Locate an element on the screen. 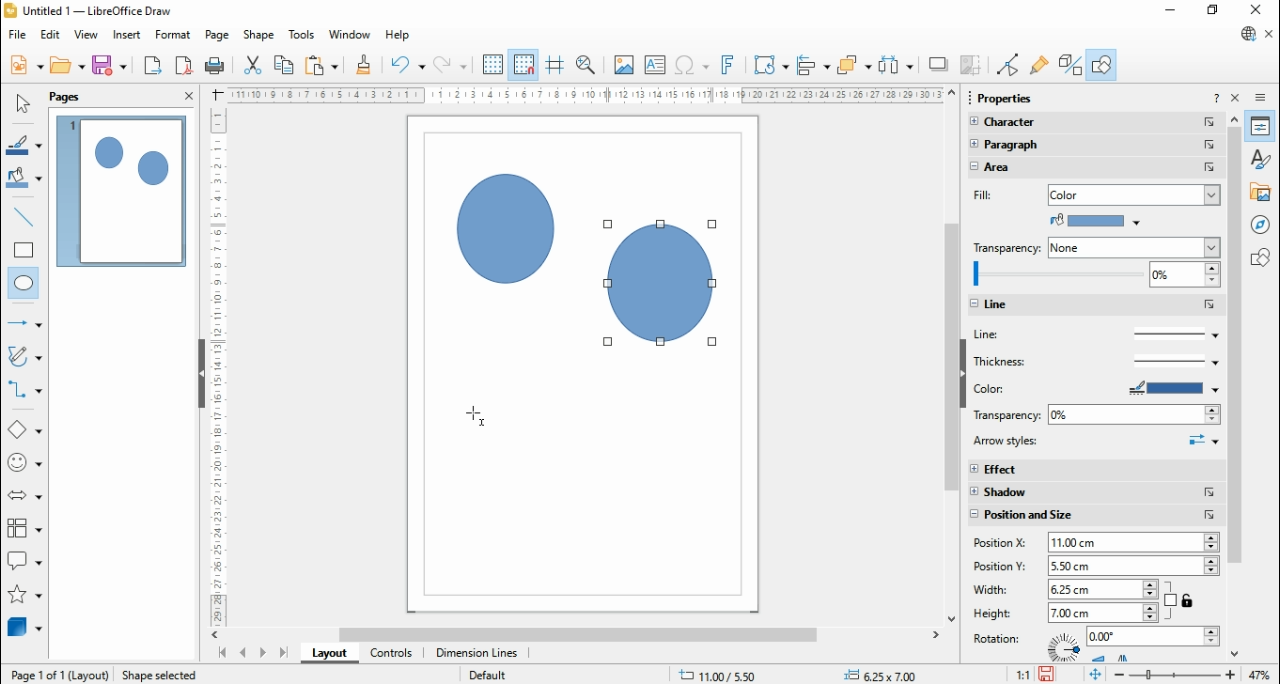  2.00 cm  is located at coordinates (1133, 543).